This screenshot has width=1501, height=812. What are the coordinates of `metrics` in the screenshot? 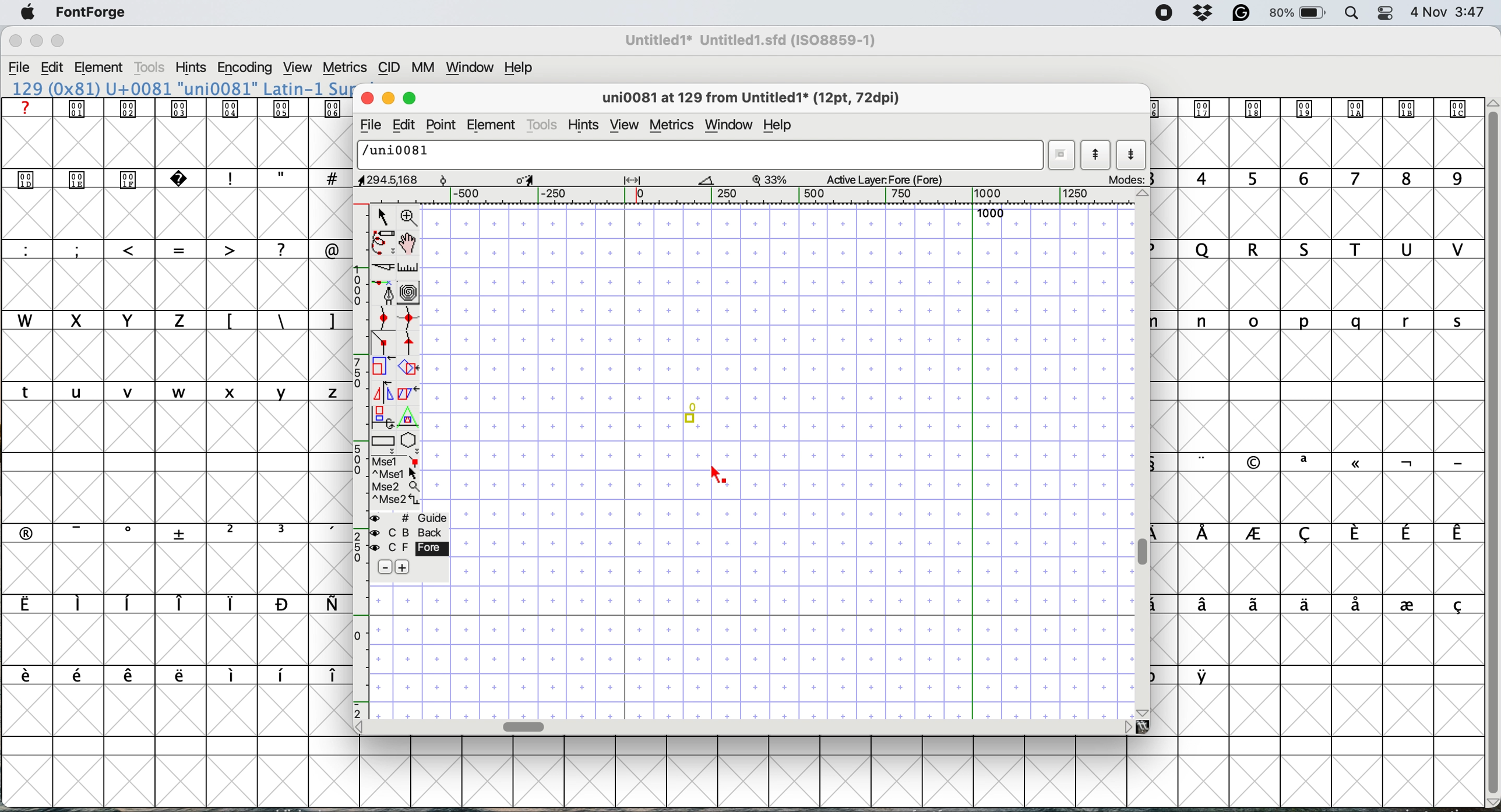 It's located at (672, 125).